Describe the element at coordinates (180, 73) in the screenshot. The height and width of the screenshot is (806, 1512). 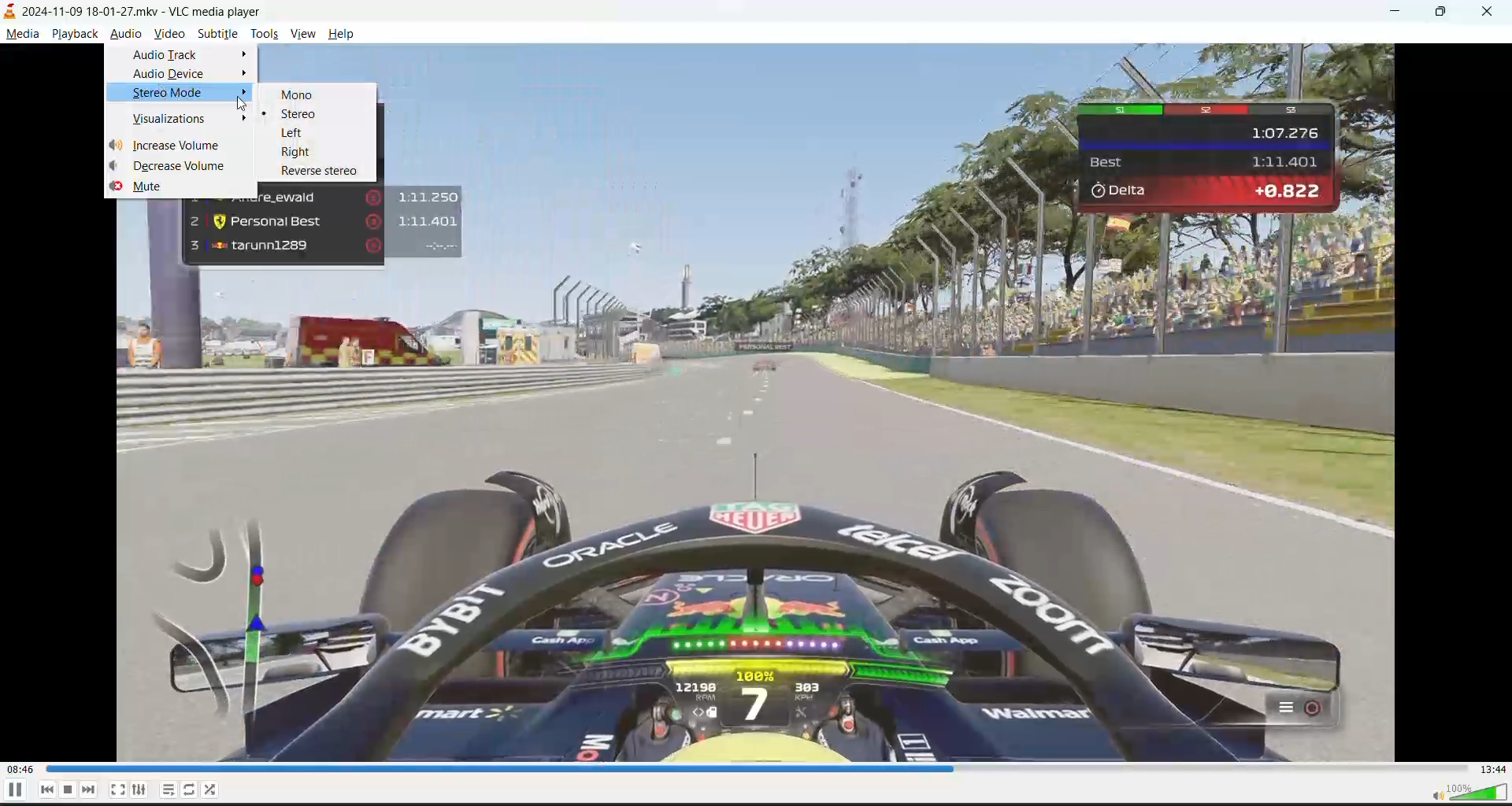
I see `Audio device` at that location.